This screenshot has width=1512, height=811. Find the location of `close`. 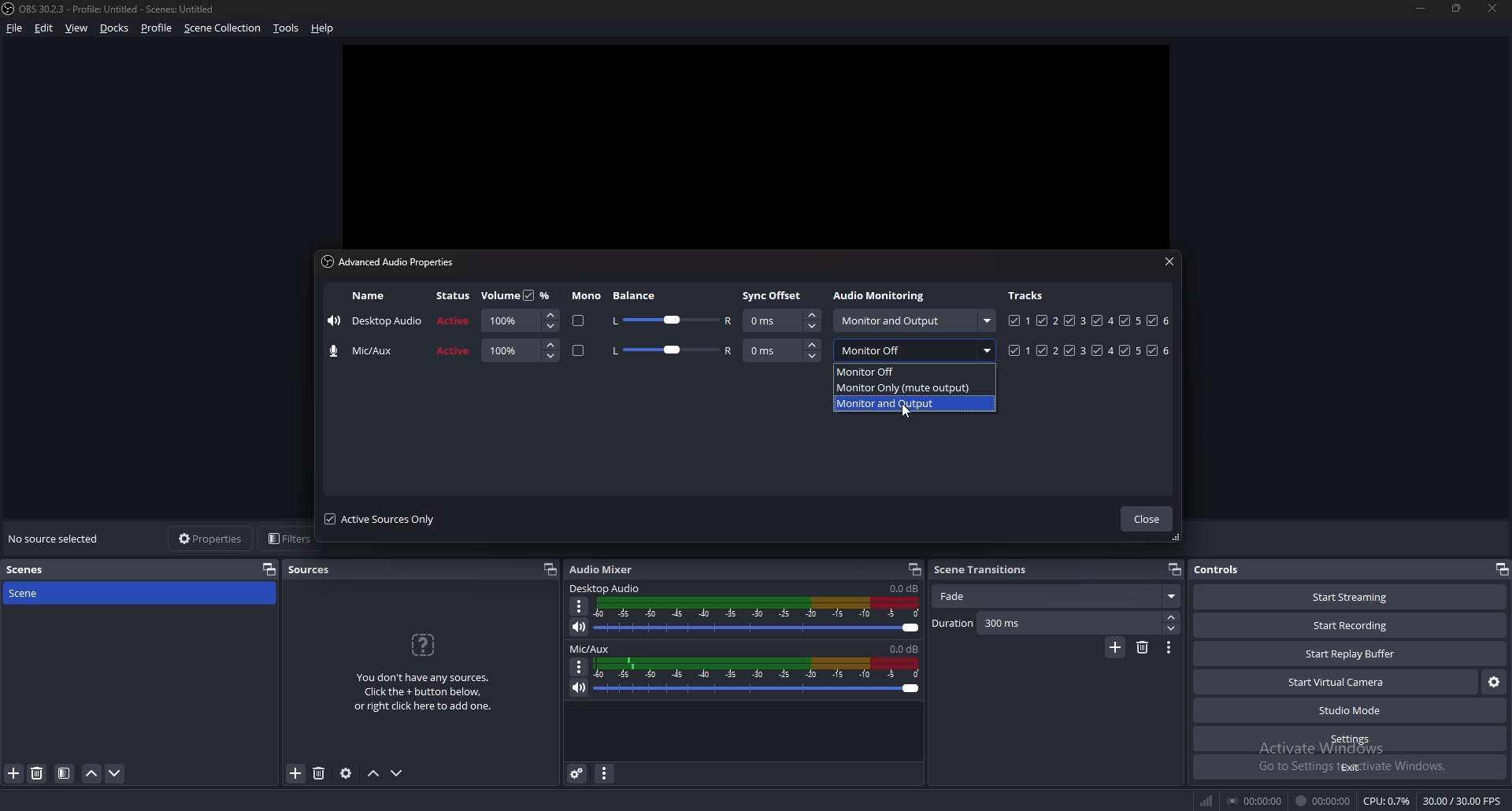

close is located at coordinates (1169, 263).